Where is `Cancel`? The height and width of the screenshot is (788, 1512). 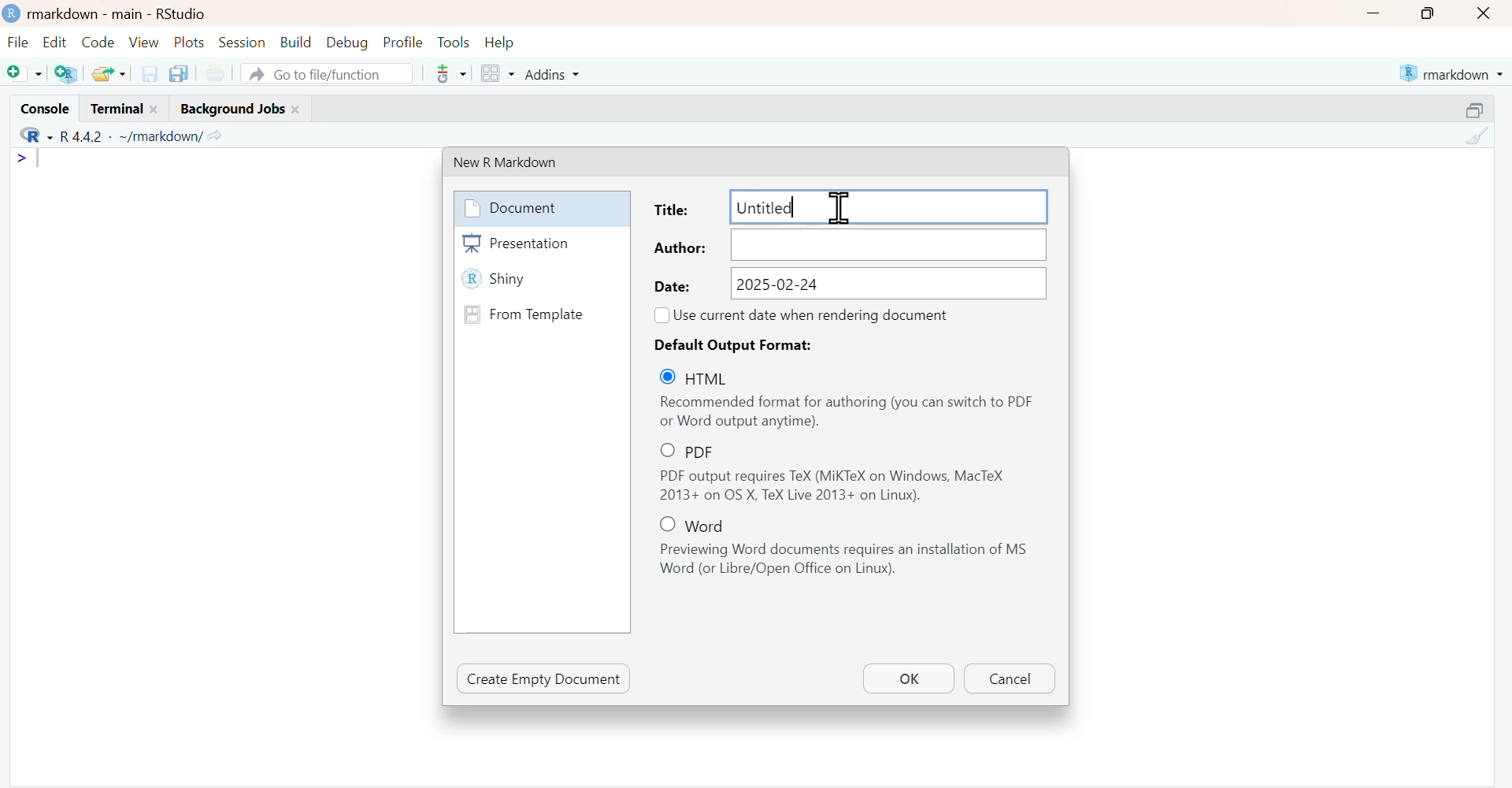 Cancel is located at coordinates (1008, 679).